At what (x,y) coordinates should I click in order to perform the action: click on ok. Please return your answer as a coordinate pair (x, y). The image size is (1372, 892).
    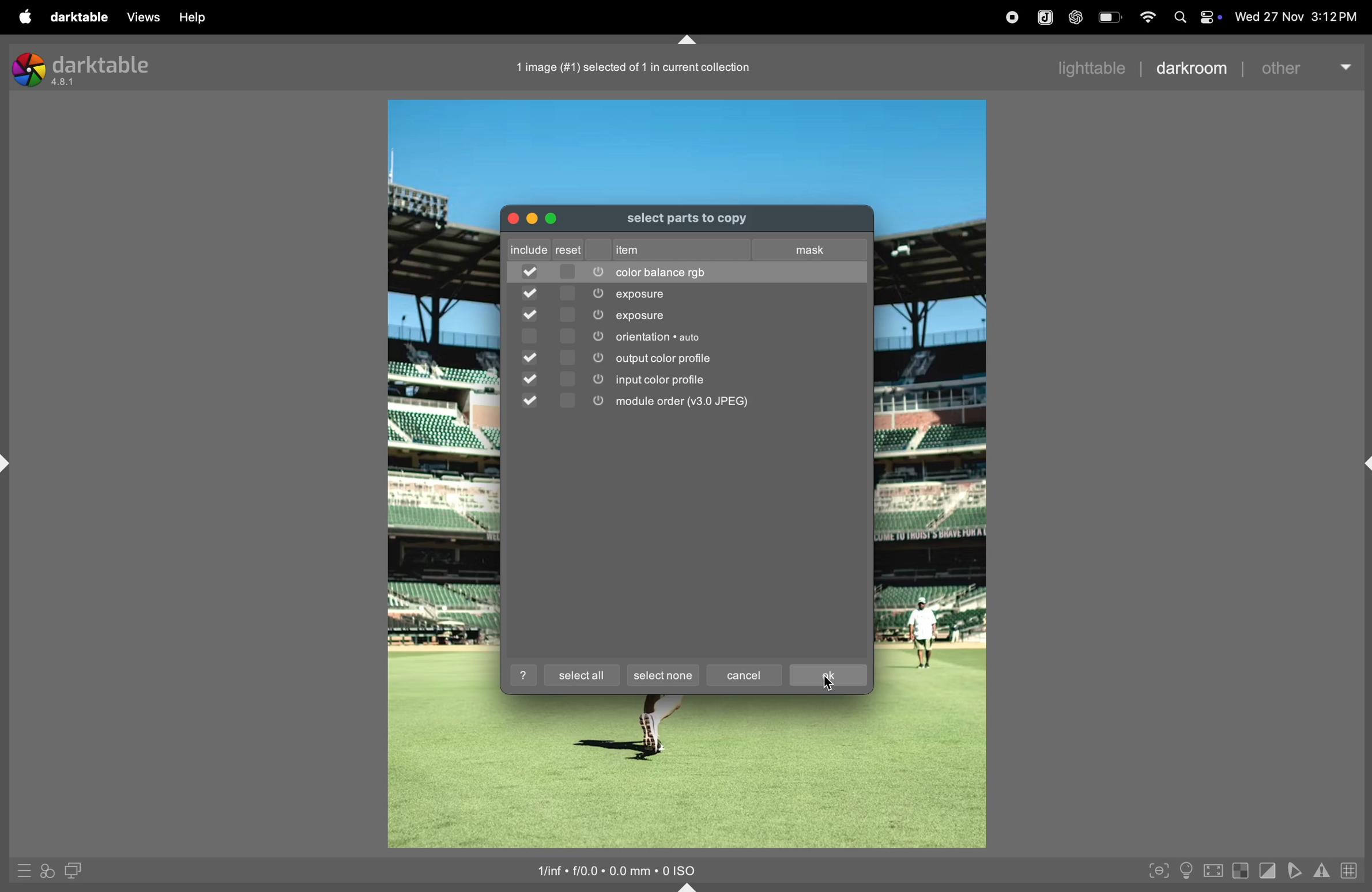
    Looking at the image, I should click on (828, 675).